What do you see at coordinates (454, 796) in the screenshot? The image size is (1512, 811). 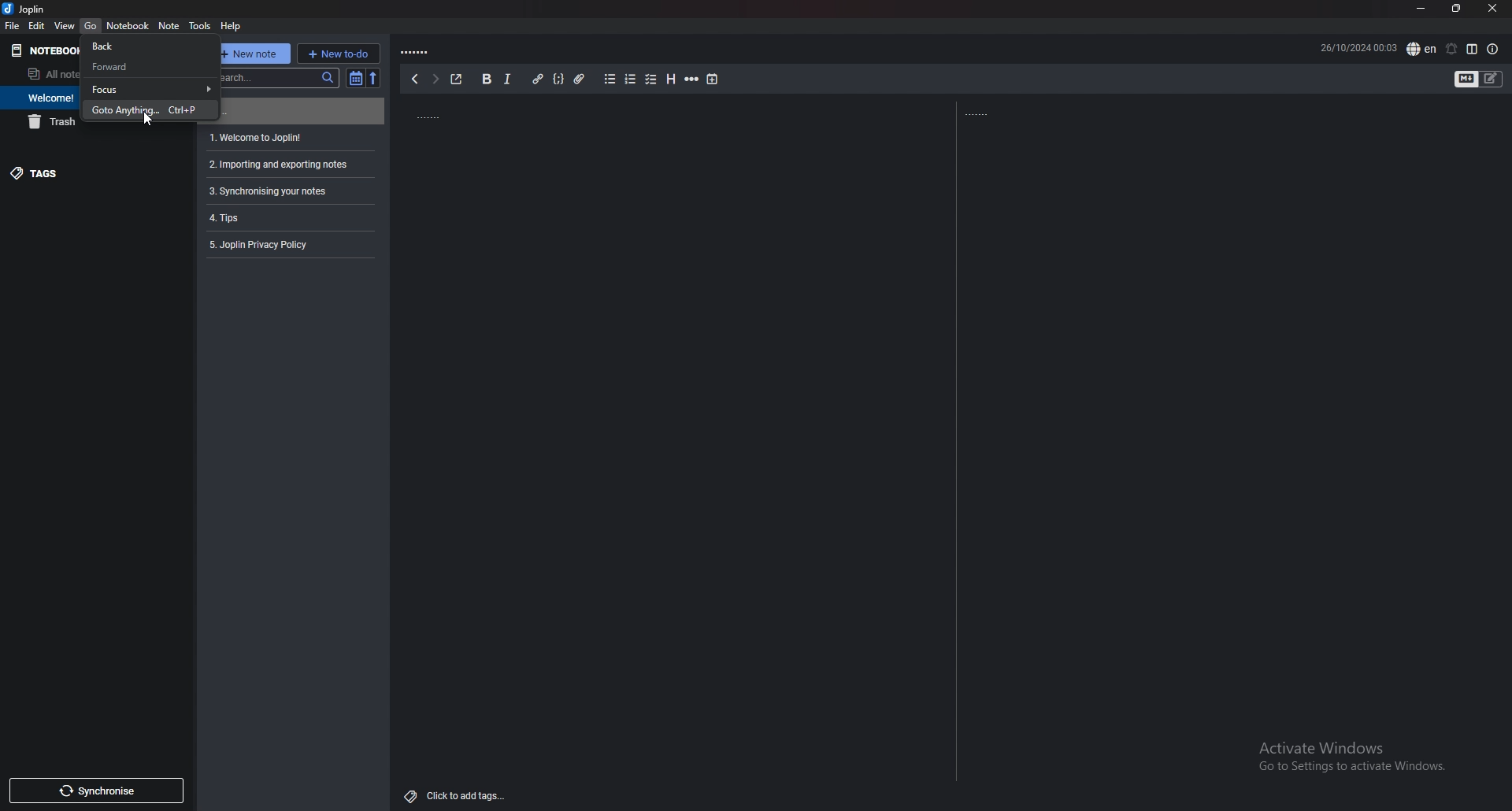 I see `` at bounding box center [454, 796].